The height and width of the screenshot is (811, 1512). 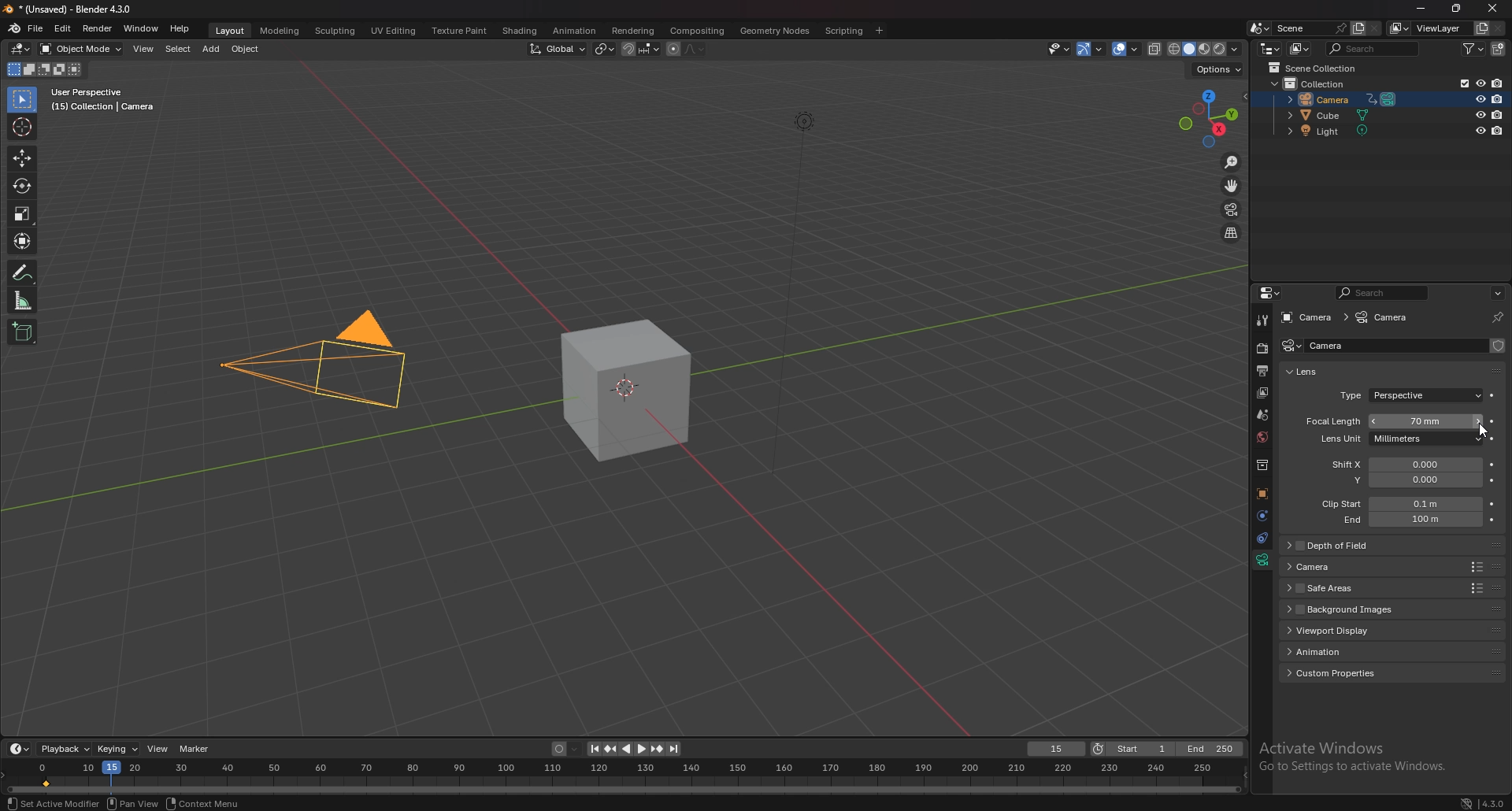 I want to click on texture paint, so click(x=460, y=31).